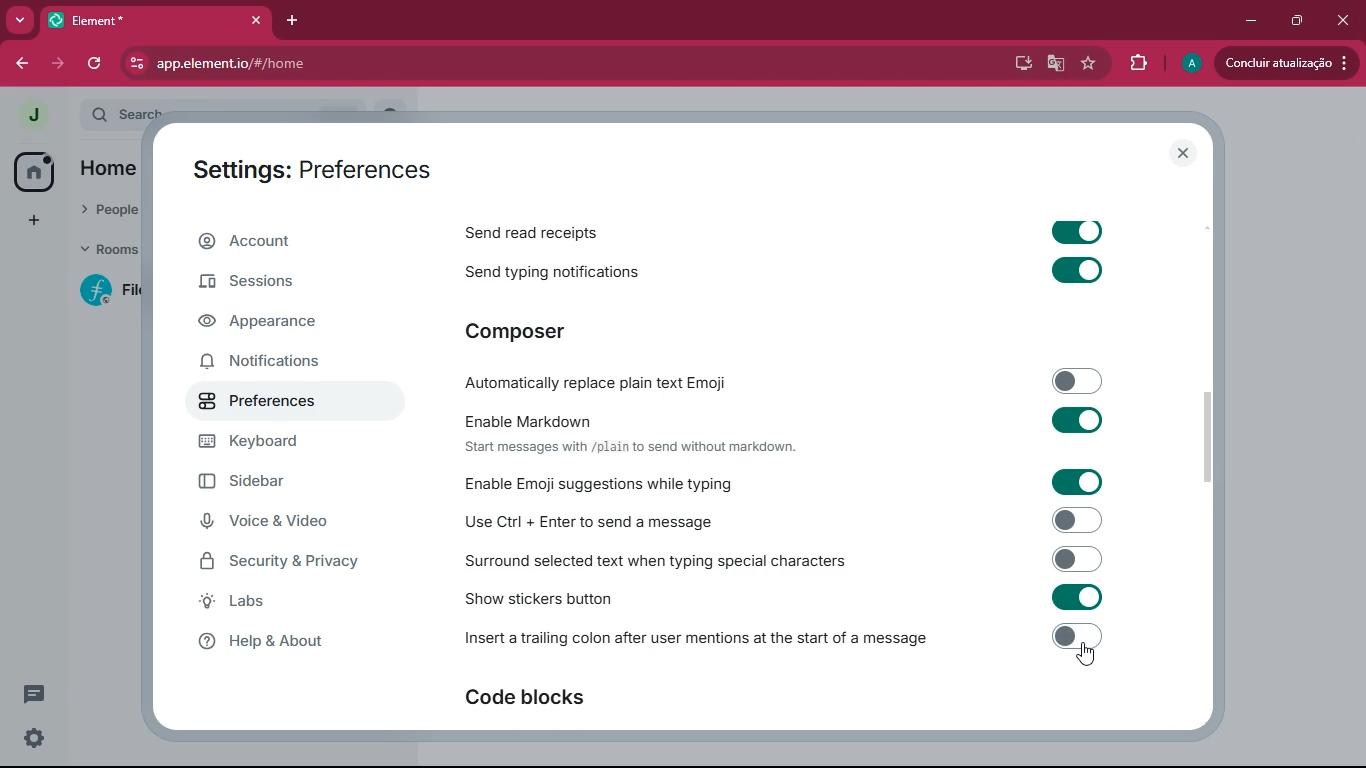 Image resolution: width=1366 pixels, height=768 pixels. What do you see at coordinates (779, 595) in the screenshot?
I see `show stickers button` at bounding box center [779, 595].